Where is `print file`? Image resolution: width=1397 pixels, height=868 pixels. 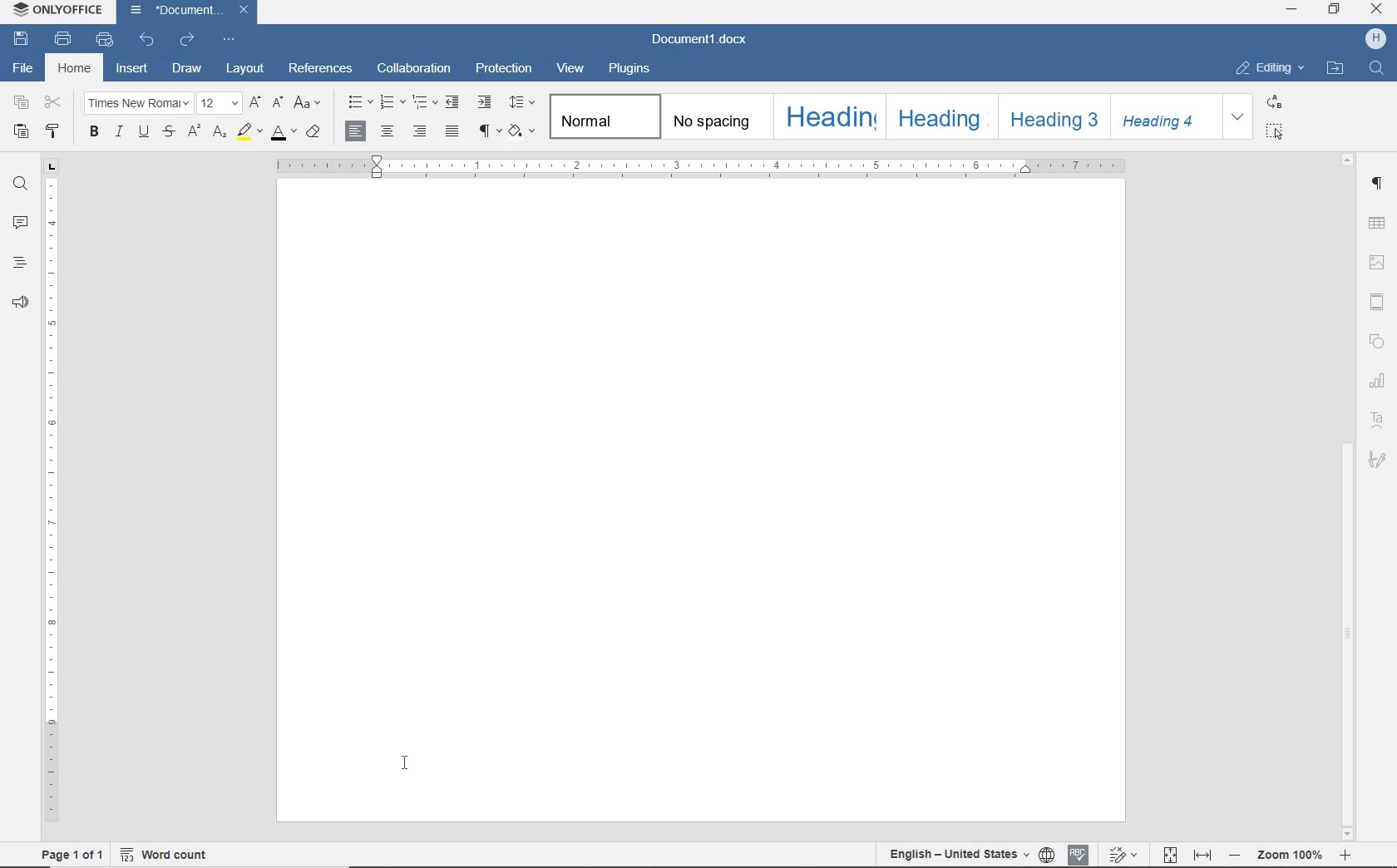 print file is located at coordinates (65, 38).